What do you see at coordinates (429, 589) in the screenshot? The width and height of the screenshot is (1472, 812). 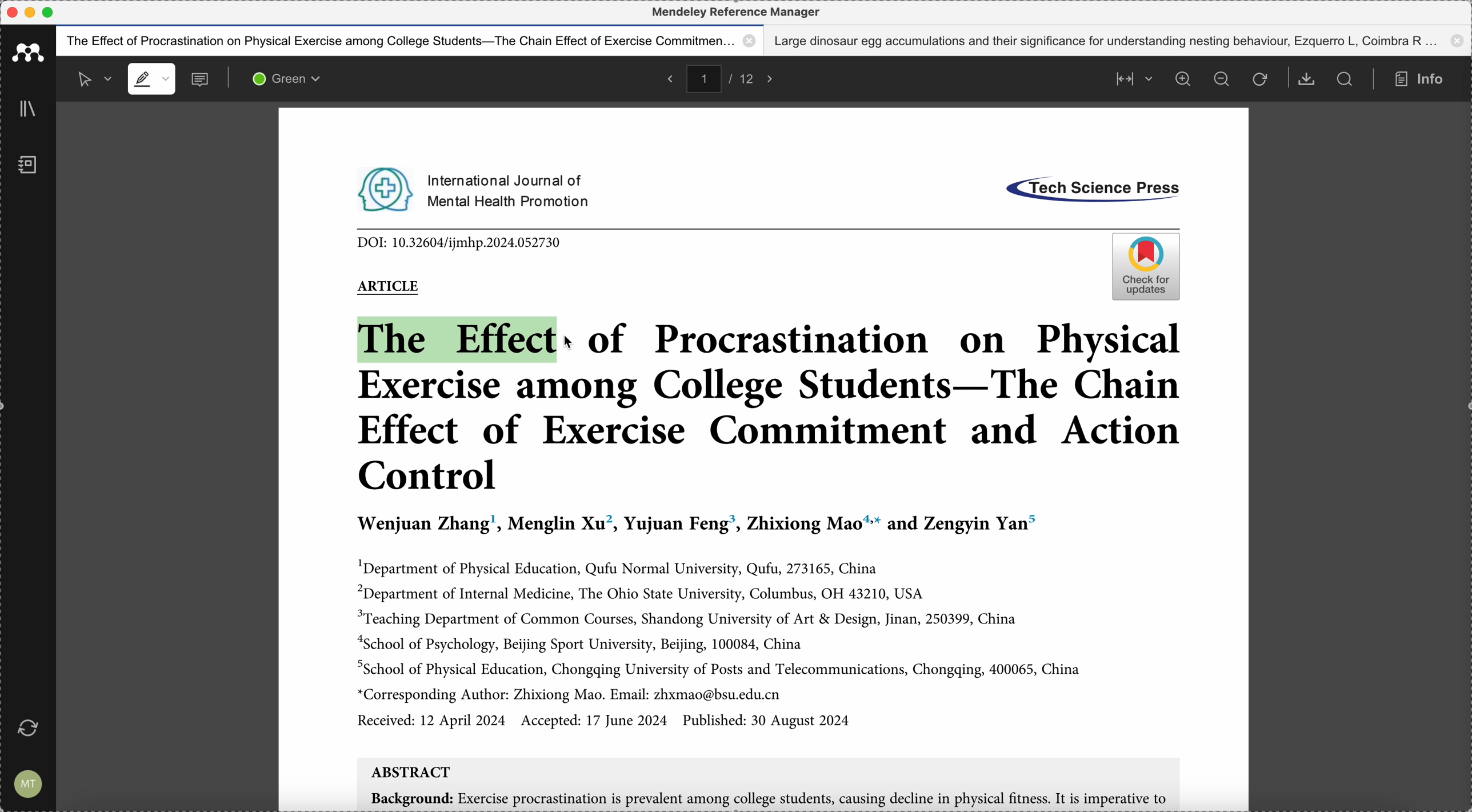 I see `pdf opened` at bounding box center [429, 589].